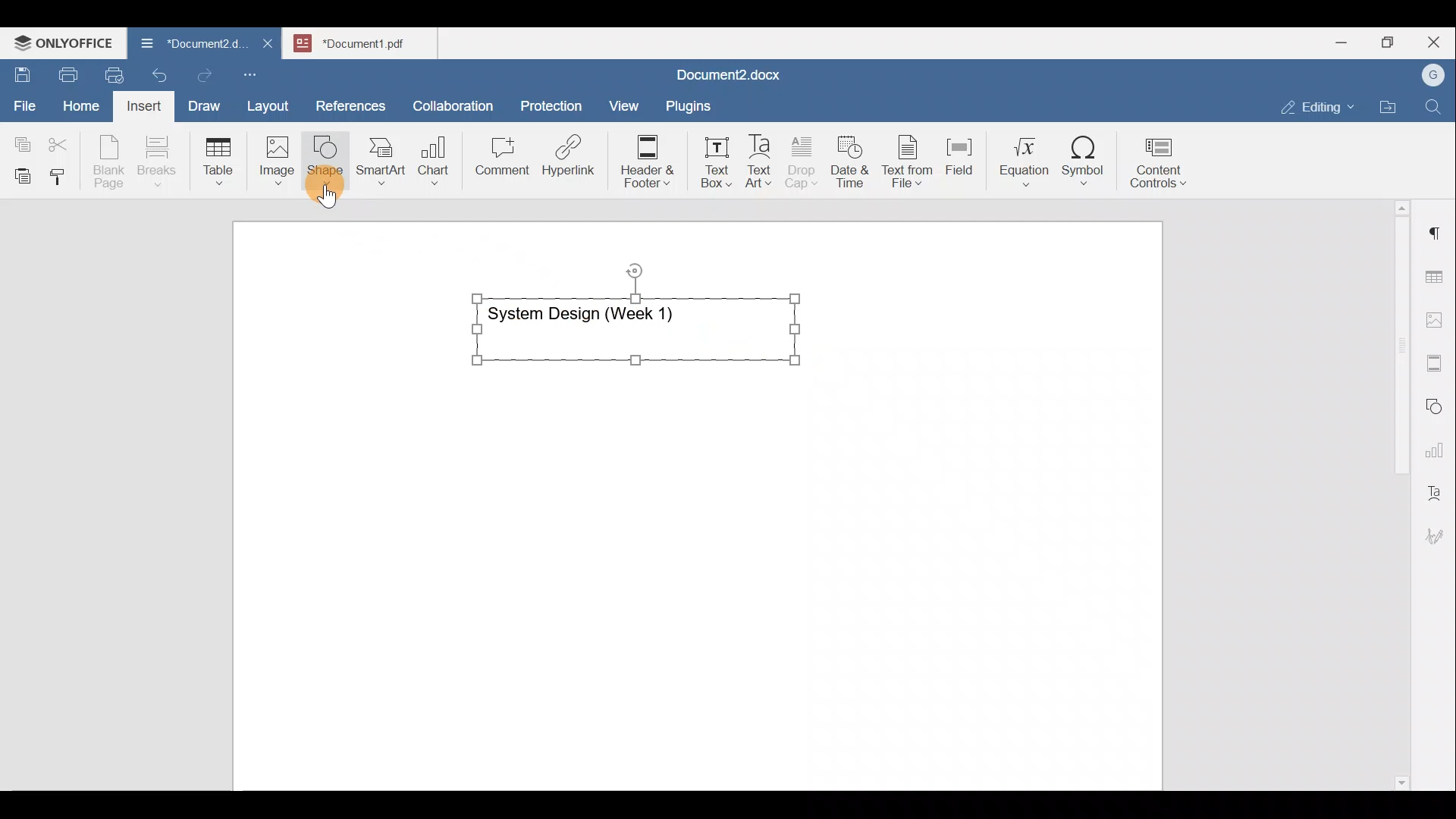 This screenshot has height=819, width=1456. What do you see at coordinates (1341, 41) in the screenshot?
I see `Minimize` at bounding box center [1341, 41].